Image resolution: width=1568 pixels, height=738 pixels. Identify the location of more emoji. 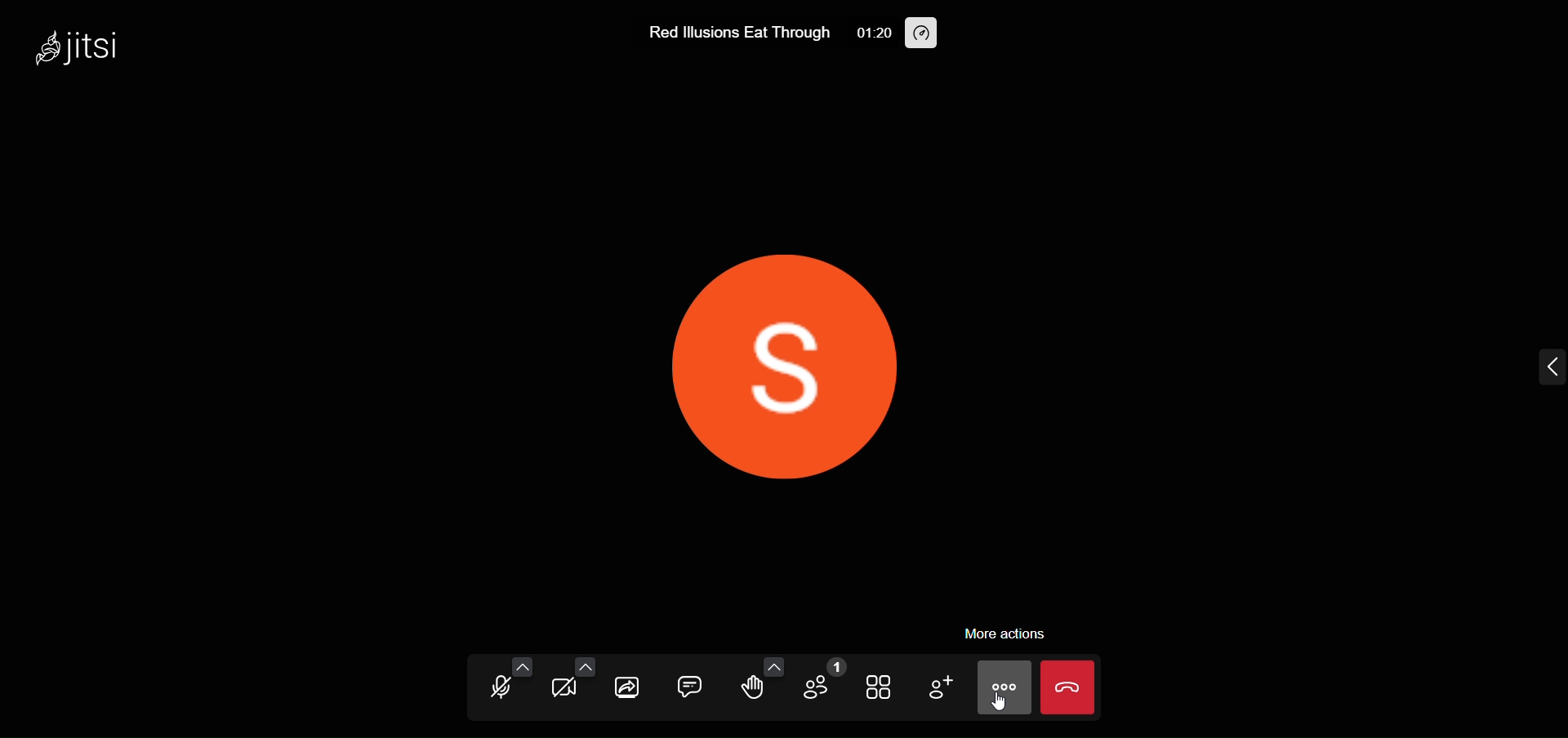
(774, 667).